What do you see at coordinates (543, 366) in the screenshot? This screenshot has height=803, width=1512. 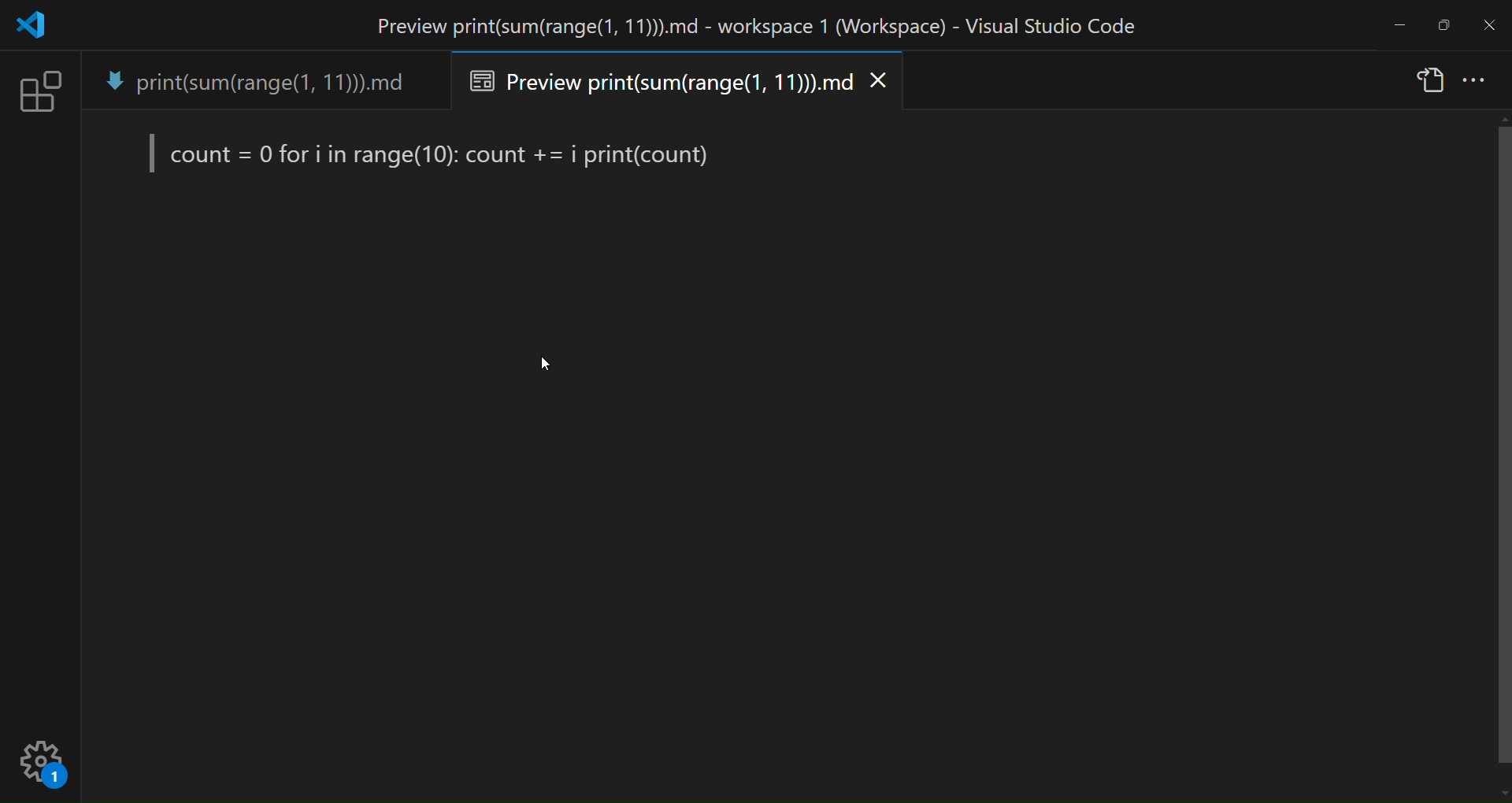 I see `cursor` at bounding box center [543, 366].